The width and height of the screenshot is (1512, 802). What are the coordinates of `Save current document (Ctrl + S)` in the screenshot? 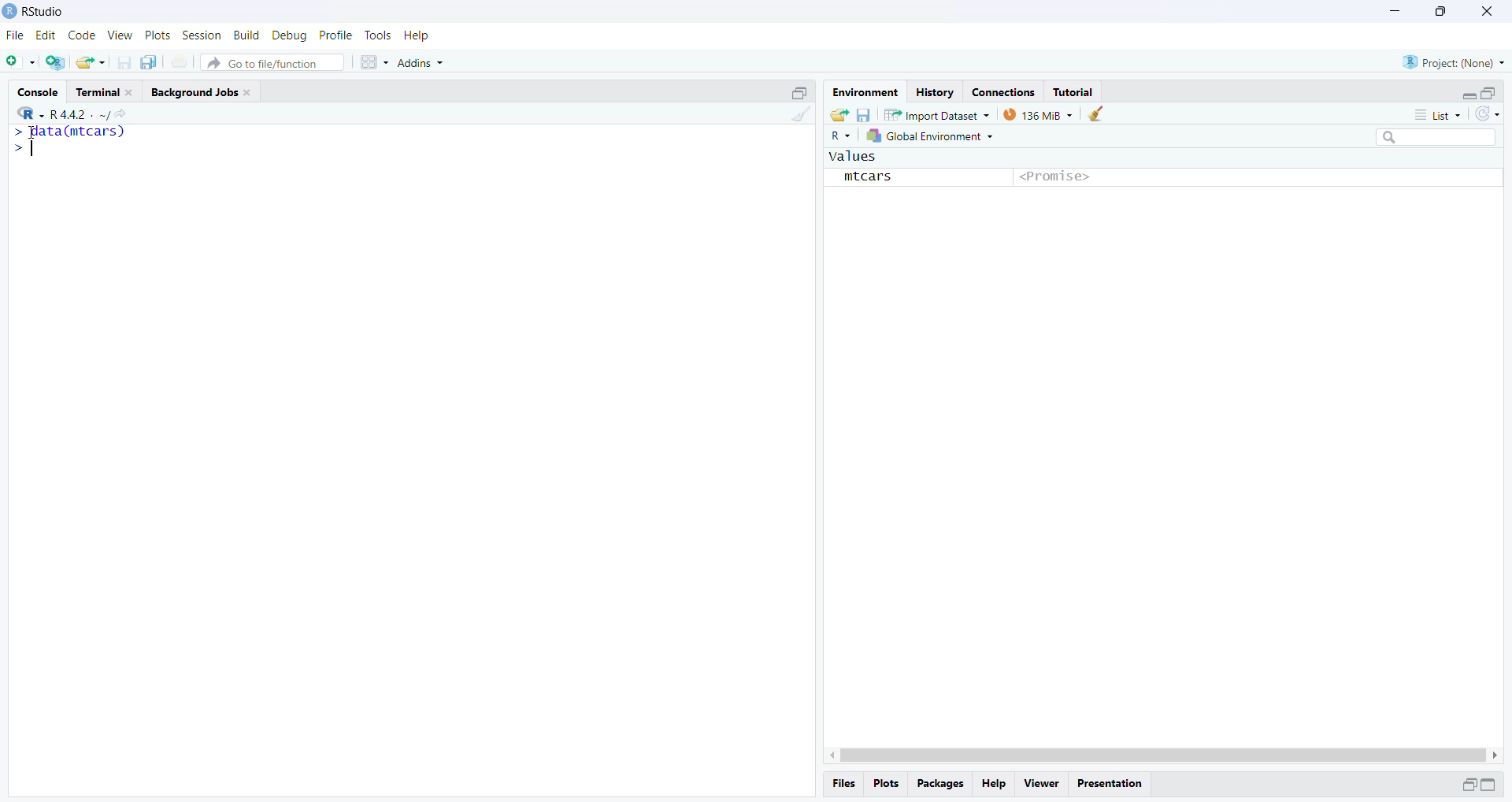 It's located at (128, 62).